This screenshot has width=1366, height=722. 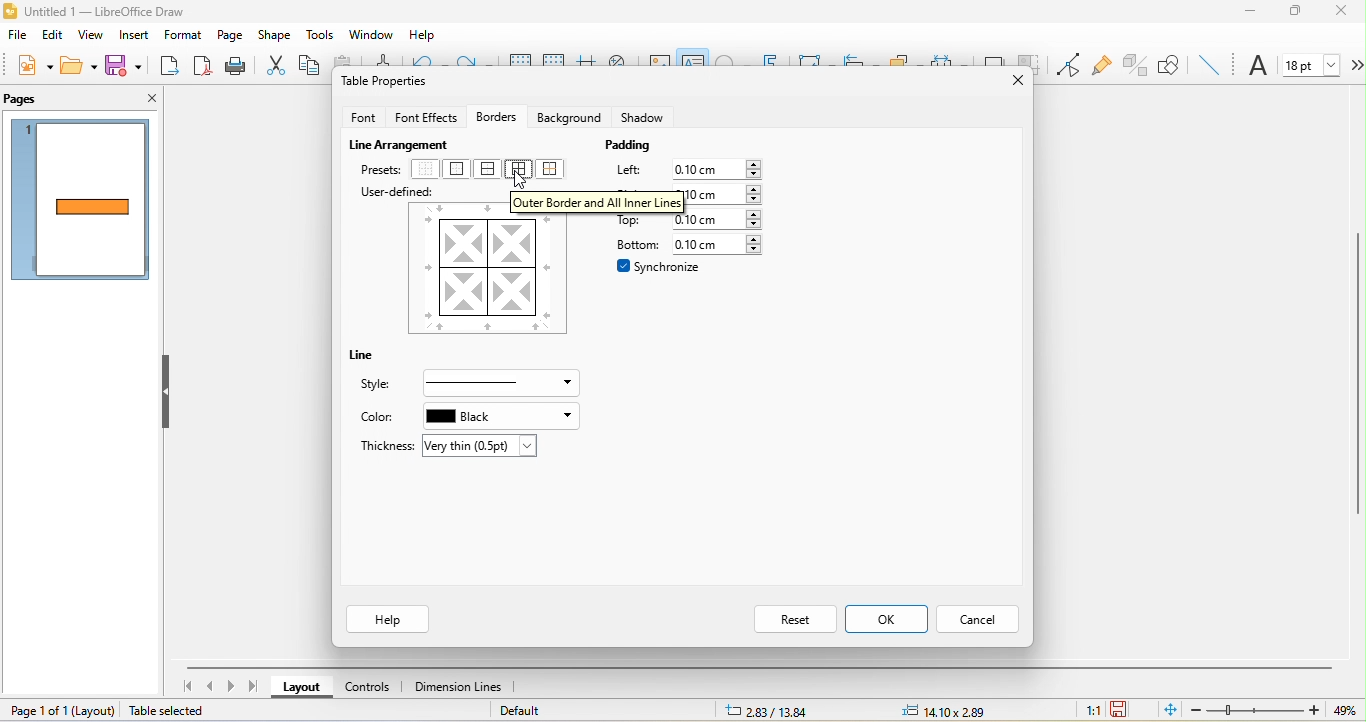 I want to click on ok, so click(x=887, y=619).